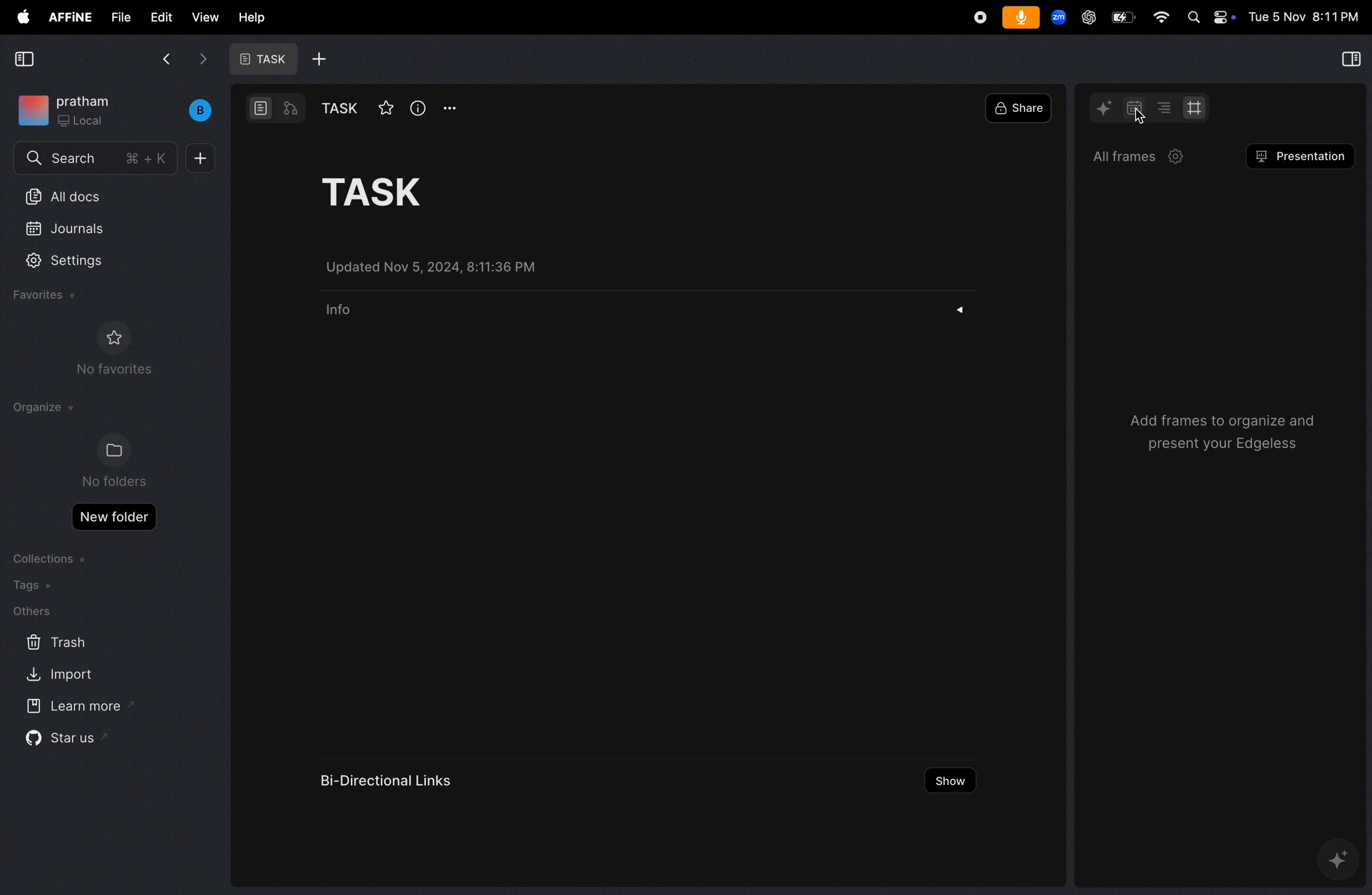 The height and width of the screenshot is (895, 1372). I want to click on organize, so click(42, 408).